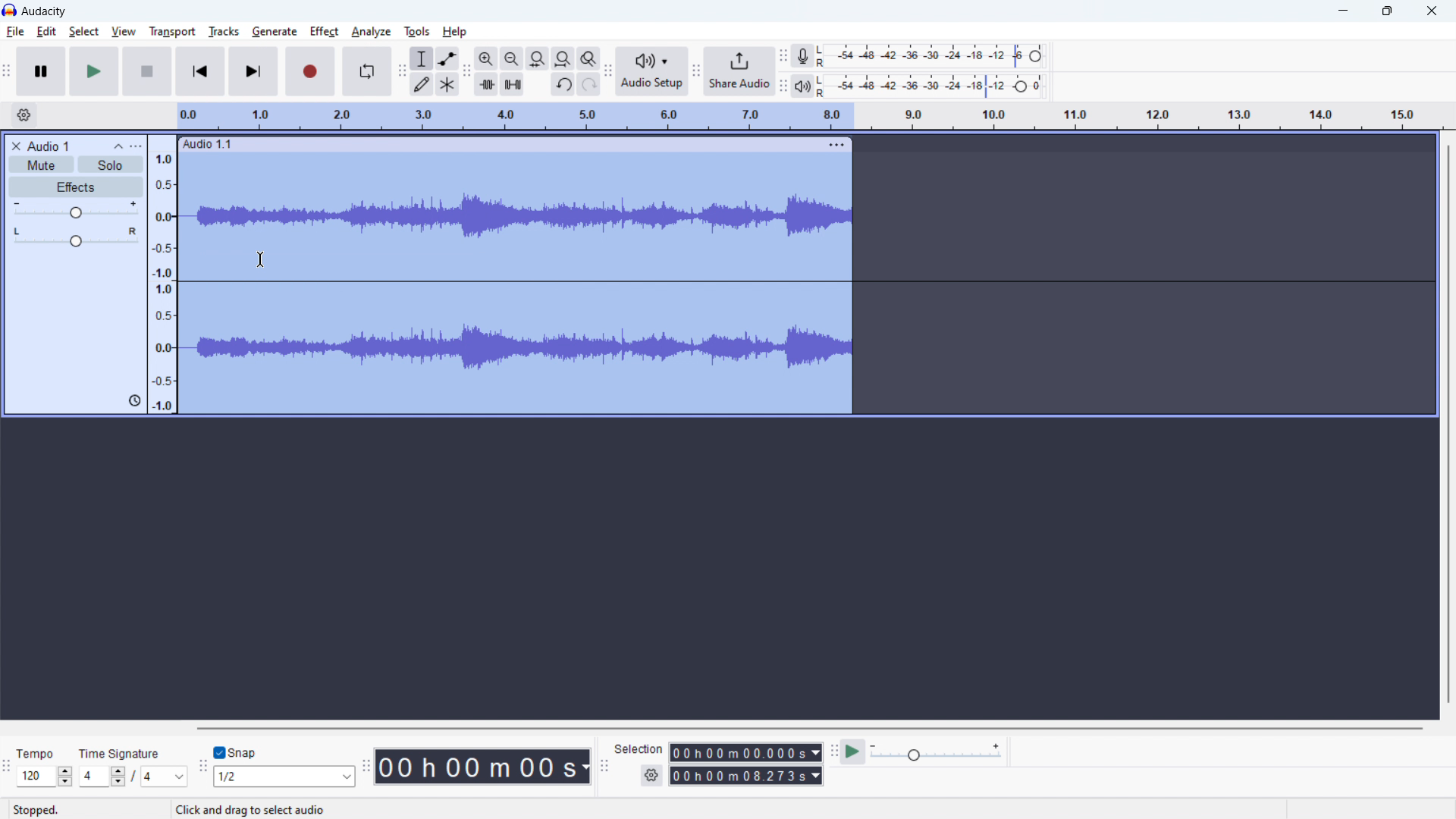  Describe the element at coordinates (456, 32) in the screenshot. I see `help` at that location.